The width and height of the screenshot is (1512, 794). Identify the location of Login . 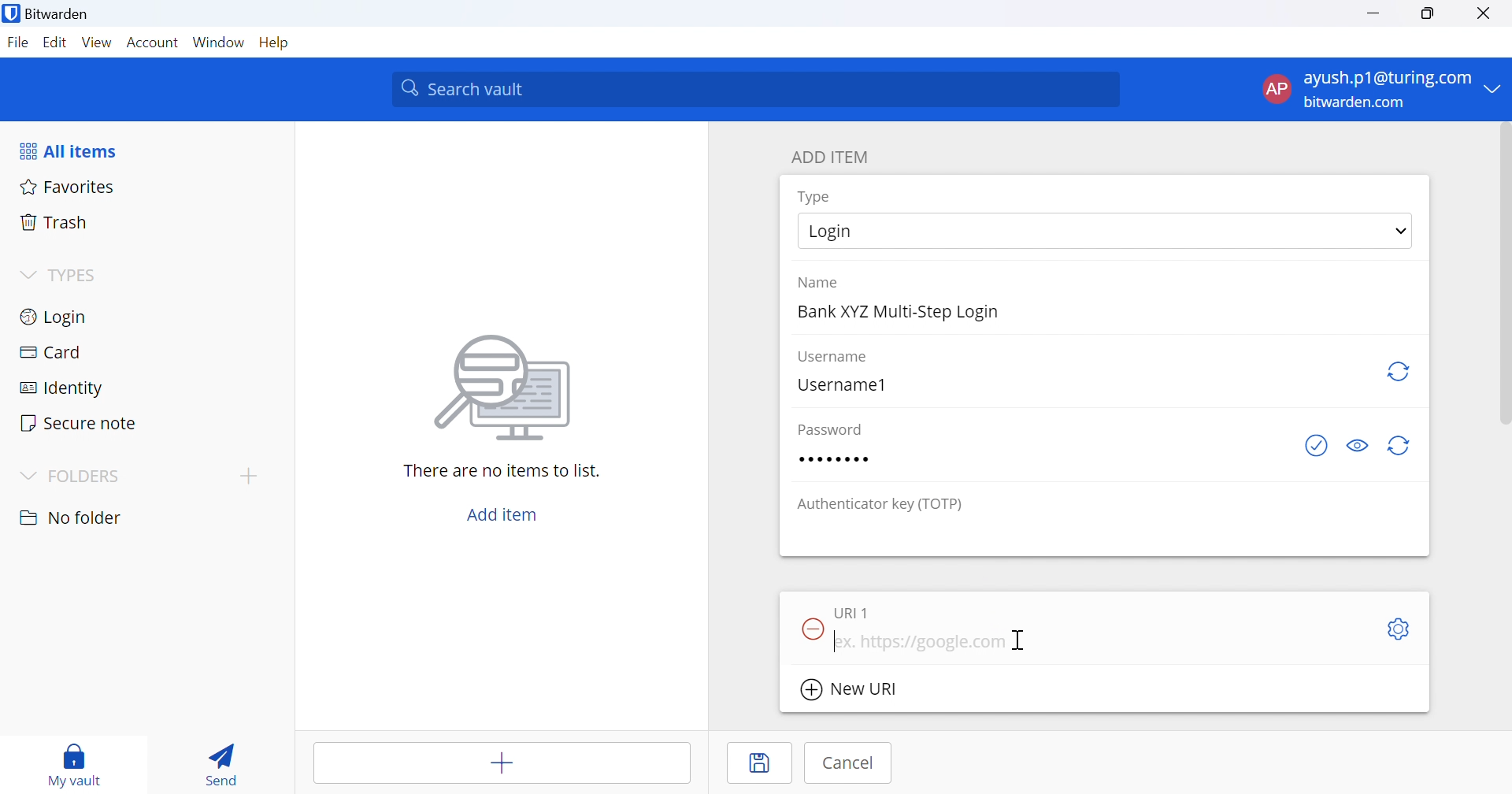
(851, 231).